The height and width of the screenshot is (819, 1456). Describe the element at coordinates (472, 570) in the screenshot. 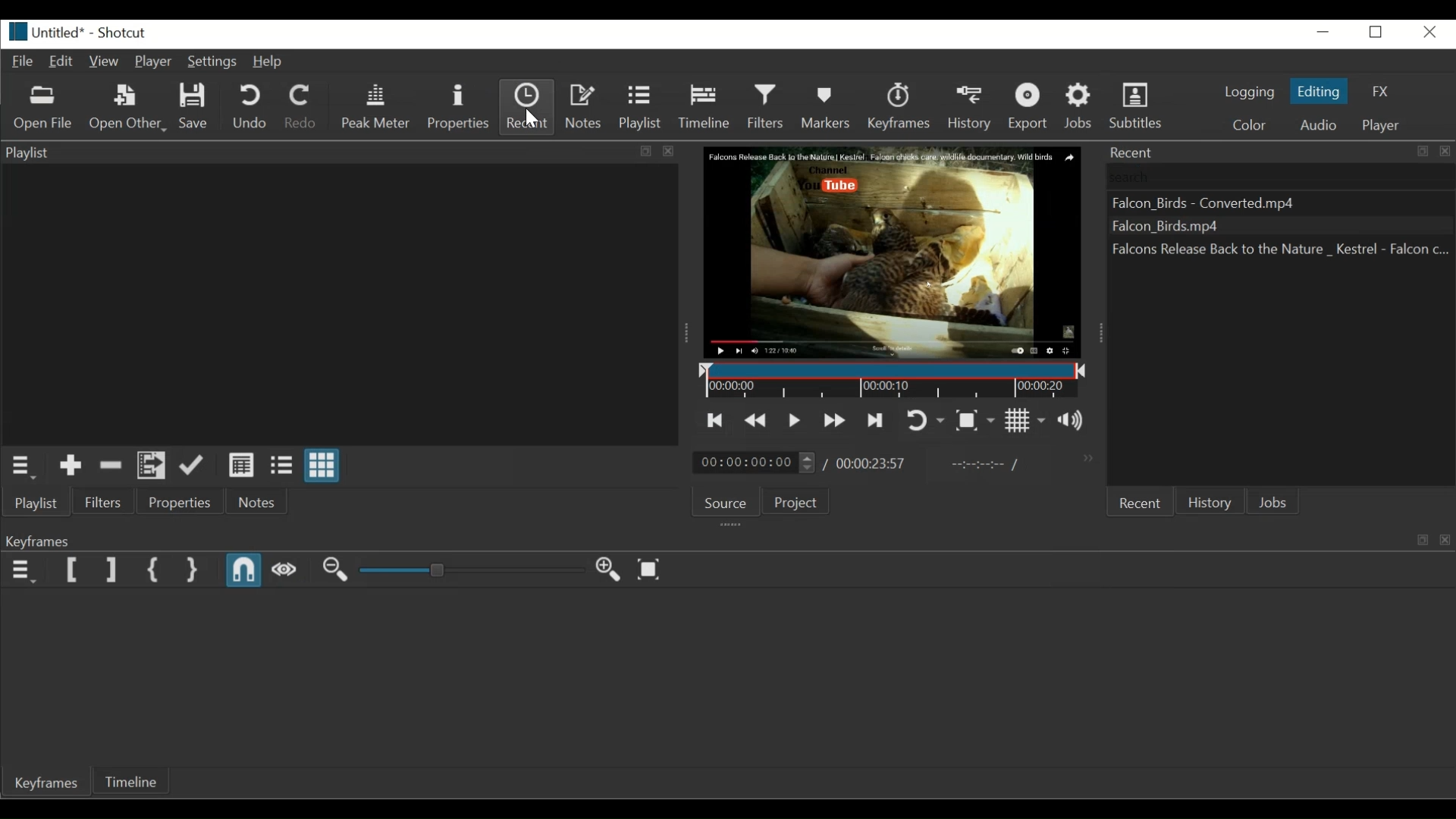

I see `Zoom Slider` at that location.